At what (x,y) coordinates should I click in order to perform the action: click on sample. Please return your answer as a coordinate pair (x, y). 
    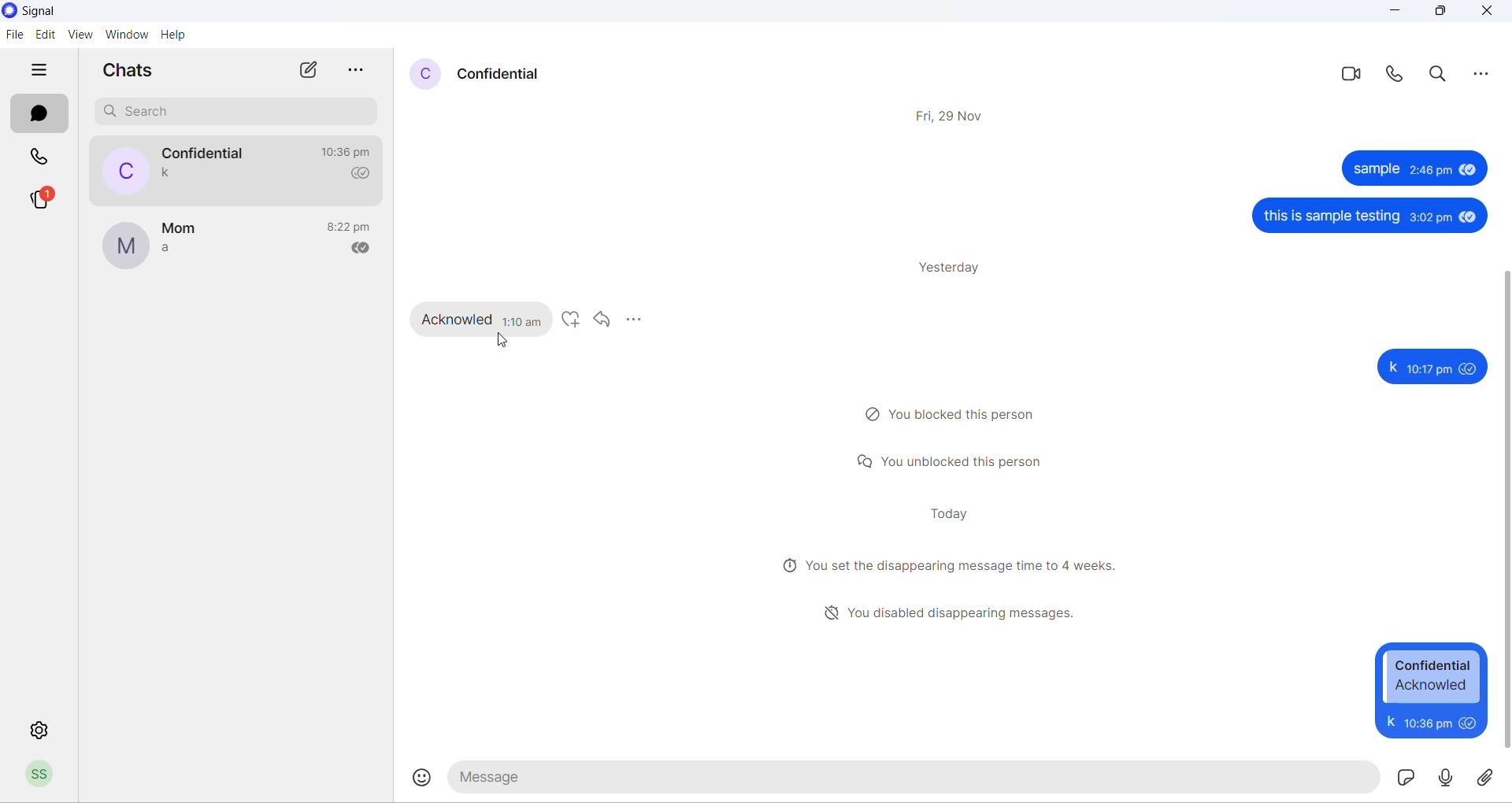
    Looking at the image, I should click on (1375, 169).